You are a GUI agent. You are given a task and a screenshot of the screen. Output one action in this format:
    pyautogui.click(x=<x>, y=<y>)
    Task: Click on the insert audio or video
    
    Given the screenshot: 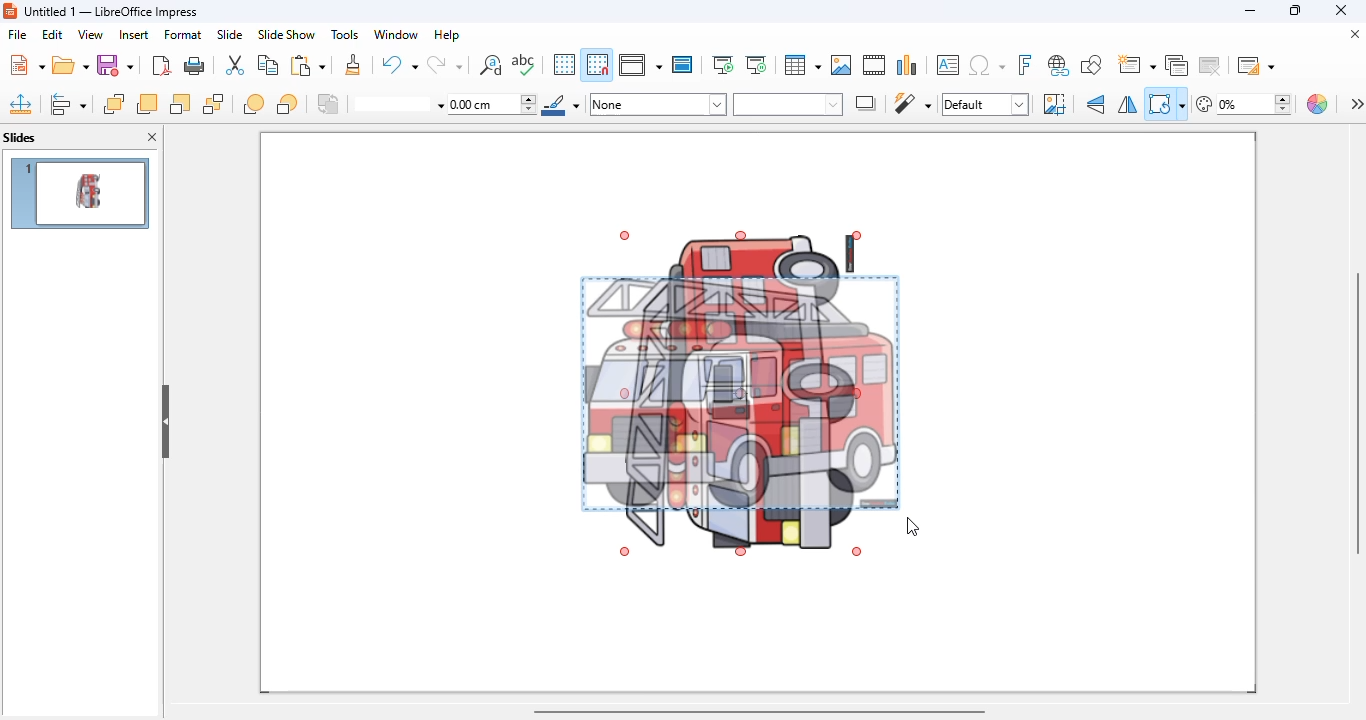 What is the action you would take?
    pyautogui.click(x=874, y=65)
    